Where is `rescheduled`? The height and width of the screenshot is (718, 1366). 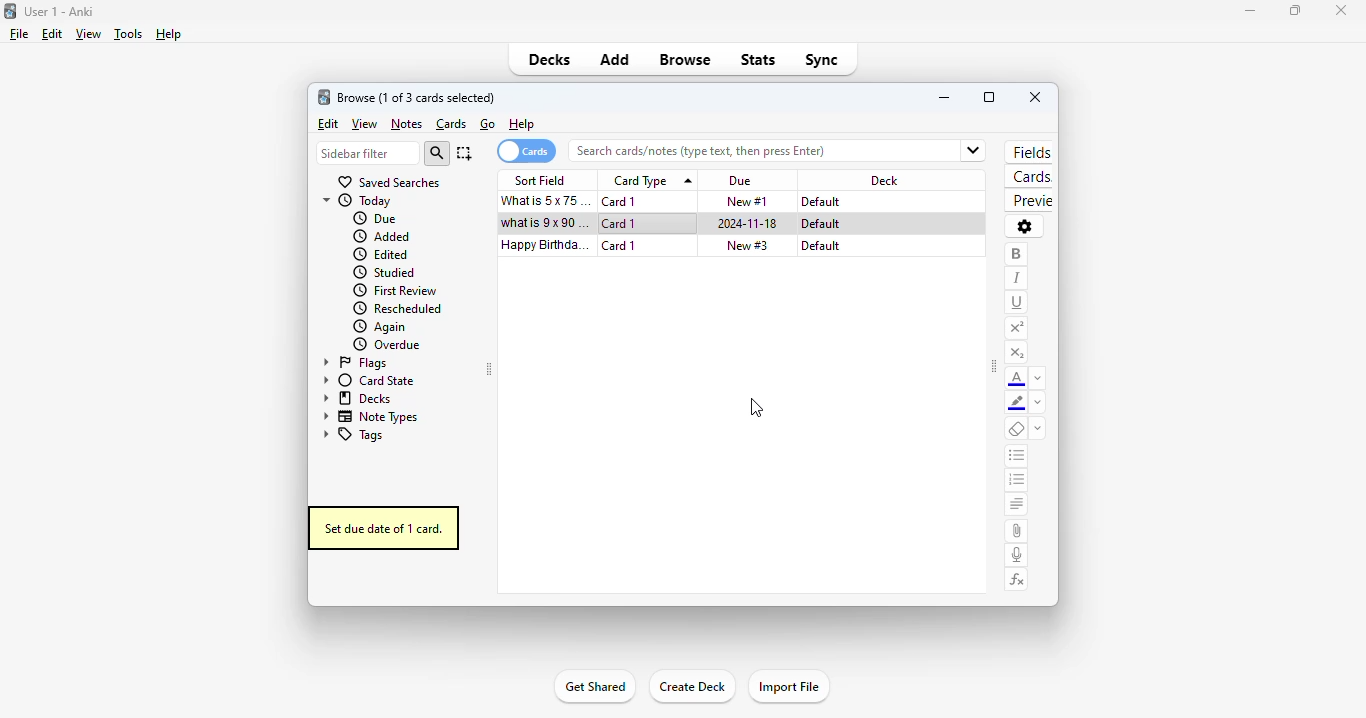
rescheduled is located at coordinates (398, 309).